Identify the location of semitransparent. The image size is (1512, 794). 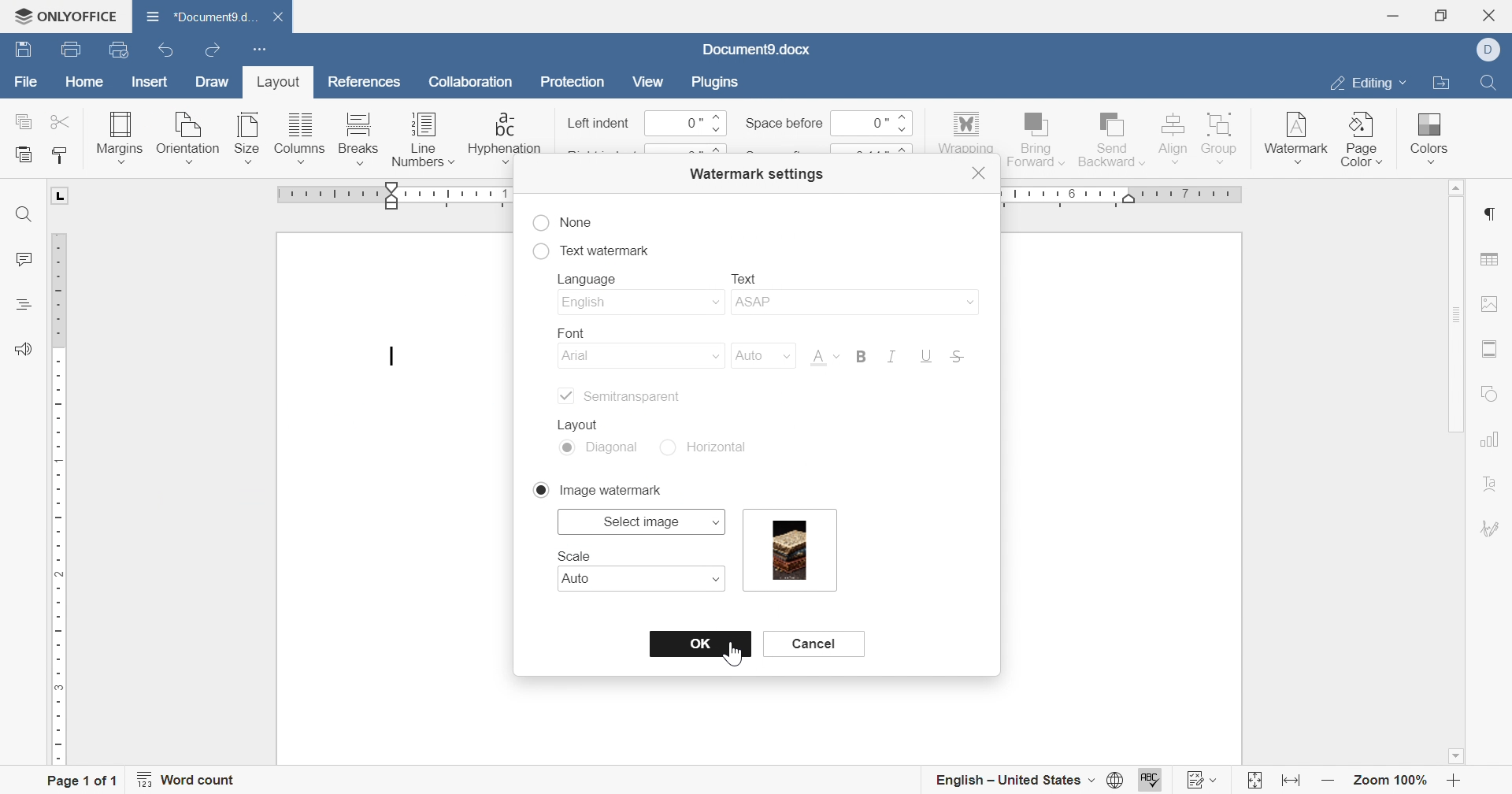
(617, 396).